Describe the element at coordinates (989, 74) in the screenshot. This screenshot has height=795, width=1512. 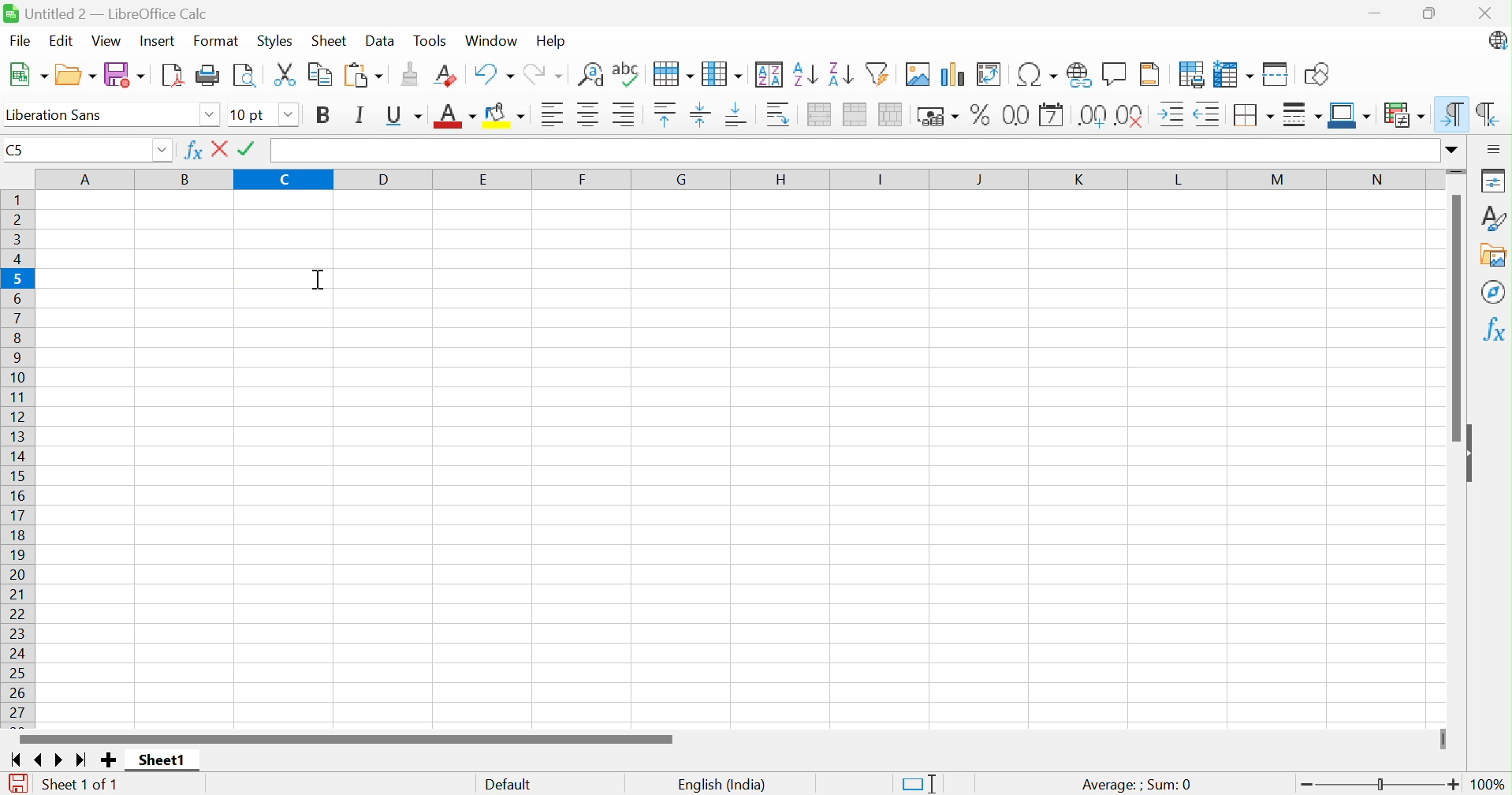
I see `Insert or edit pivot table` at that location.